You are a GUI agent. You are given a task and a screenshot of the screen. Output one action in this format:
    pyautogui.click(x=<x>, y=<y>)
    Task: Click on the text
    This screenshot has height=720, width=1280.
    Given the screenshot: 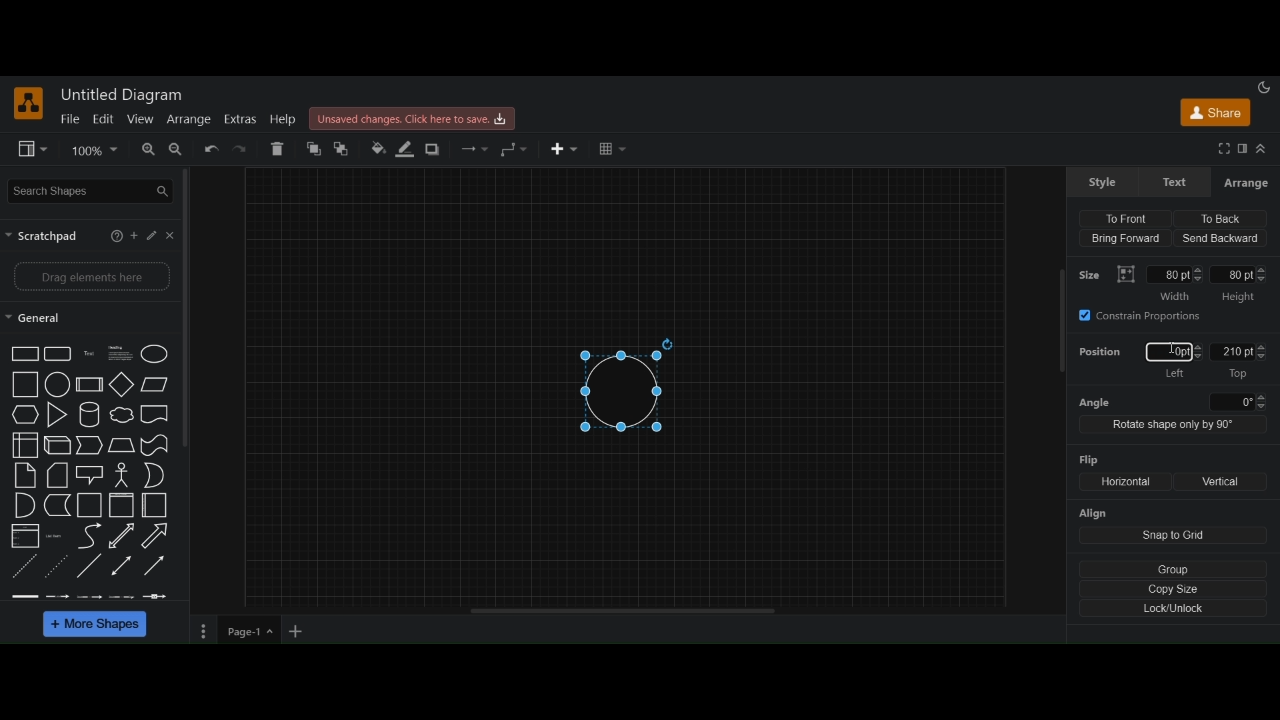 What is the action you would take?
    pyautogui.click(x=57, y=536)
    